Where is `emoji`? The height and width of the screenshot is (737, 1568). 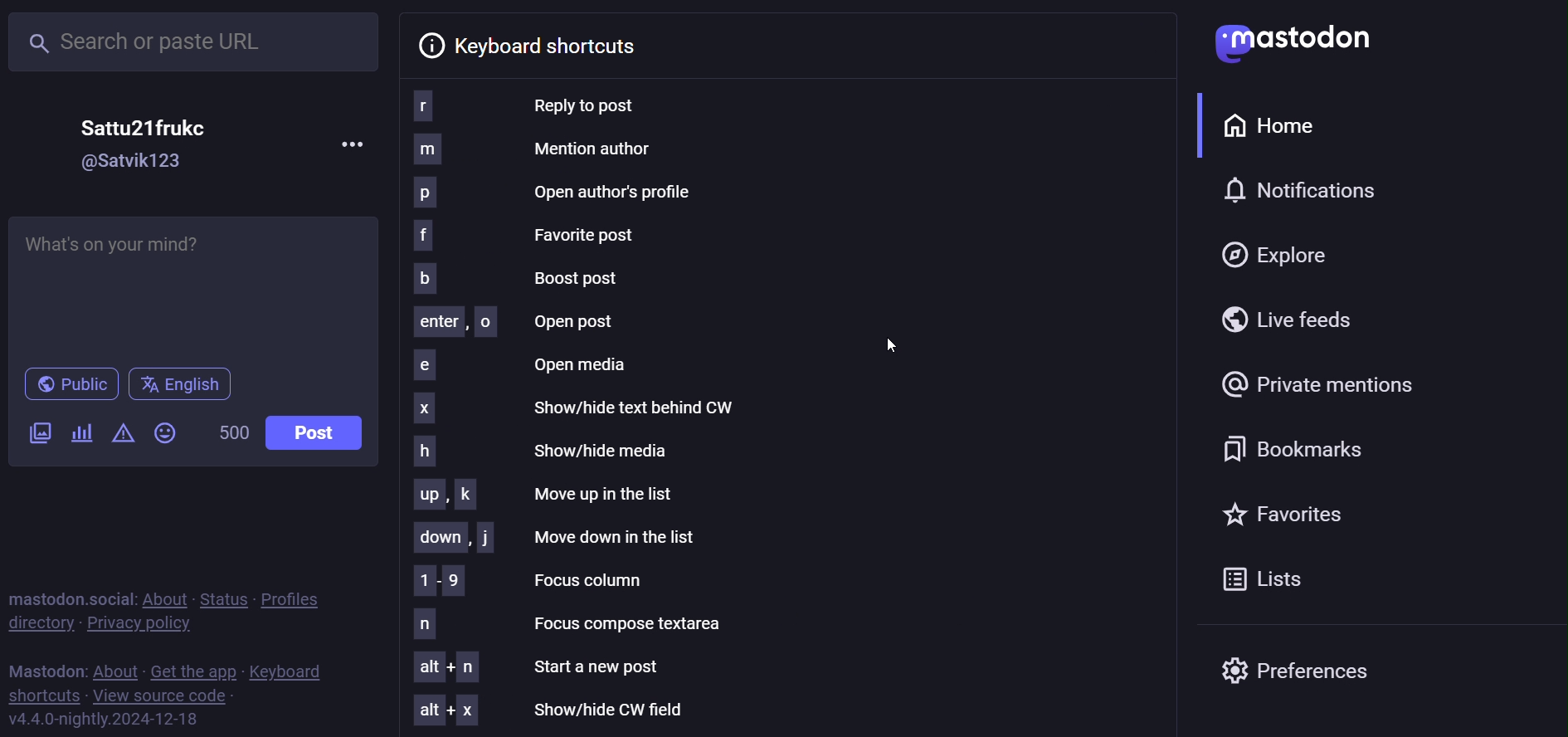
emoji is located at coordinates (172, 432).